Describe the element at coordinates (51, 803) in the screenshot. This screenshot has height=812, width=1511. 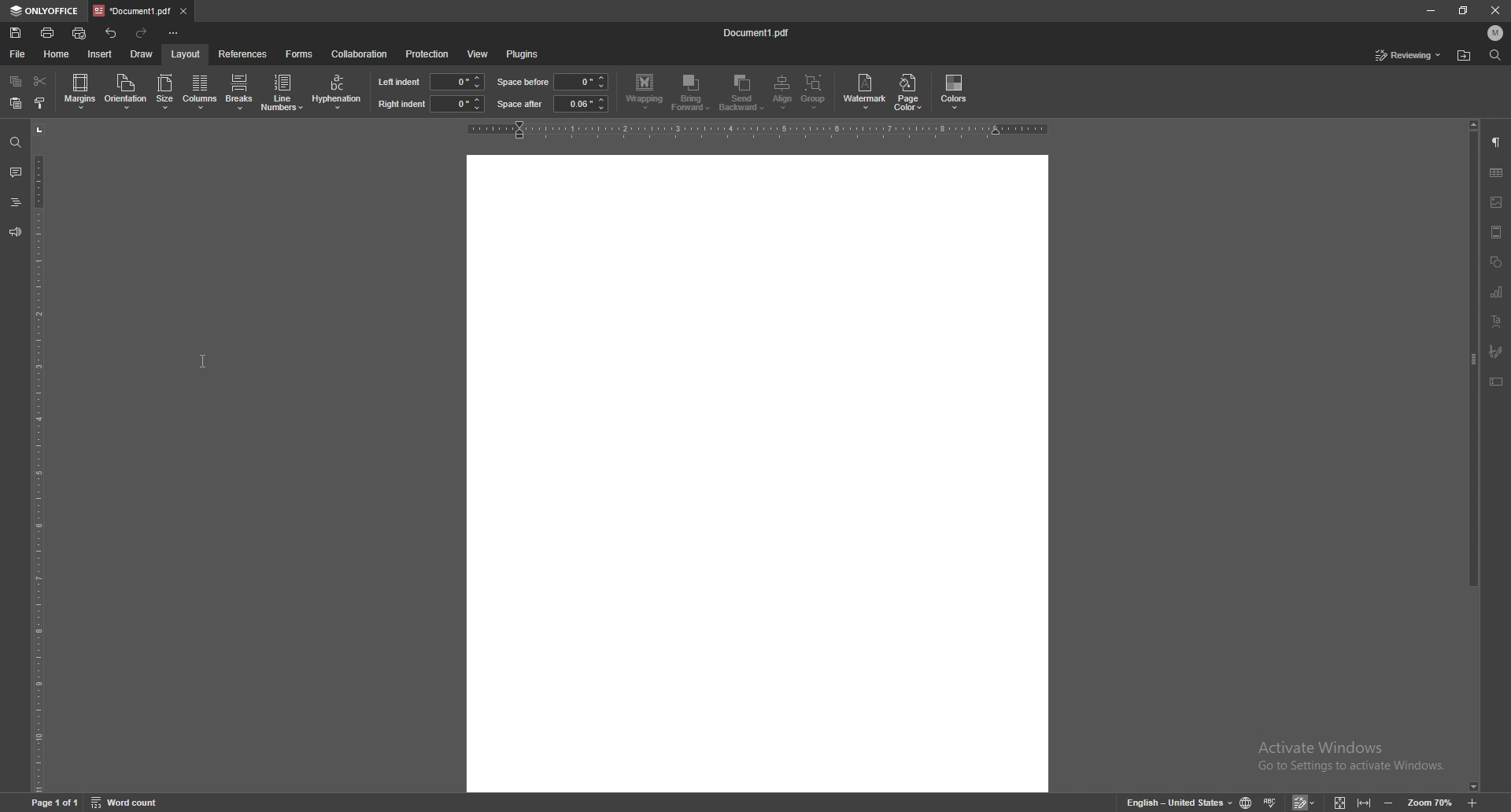
I see `Page 1 of 1` at that location.